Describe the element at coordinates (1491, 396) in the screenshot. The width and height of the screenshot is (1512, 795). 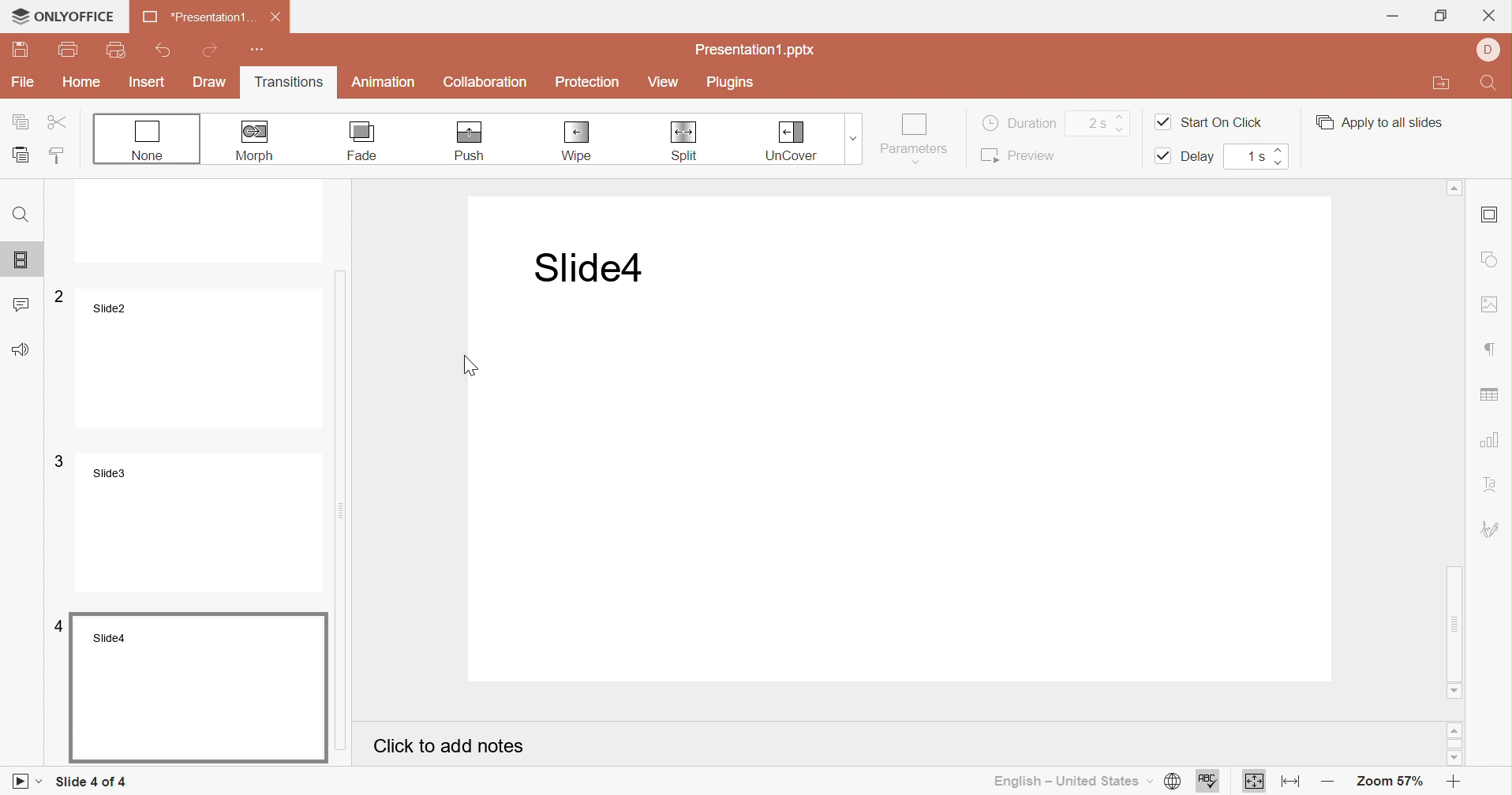
I see `Insert table` at that location.